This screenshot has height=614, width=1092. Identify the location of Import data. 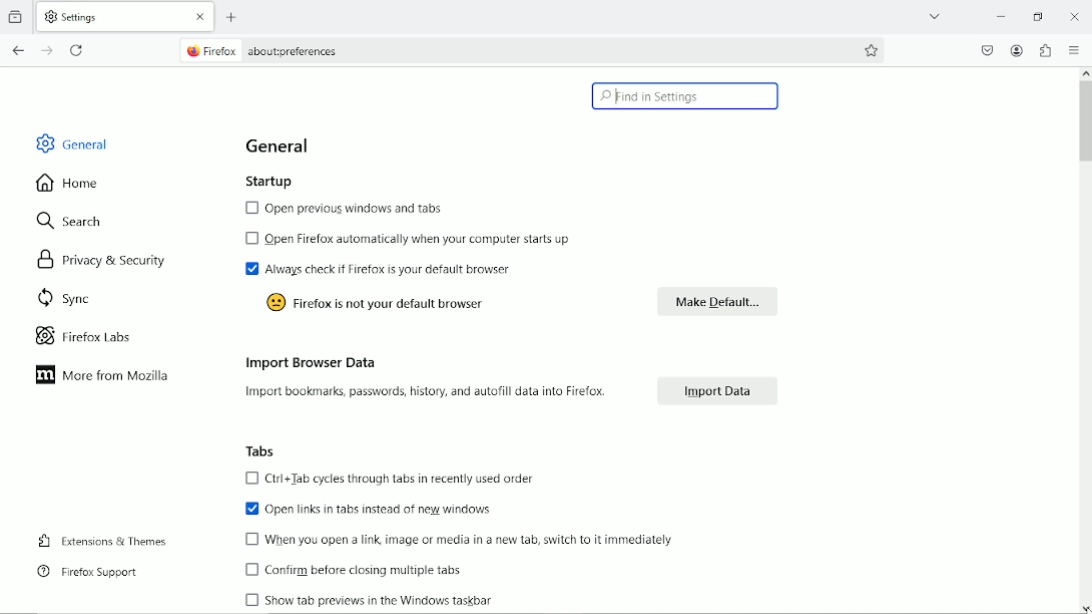
(721, 391).